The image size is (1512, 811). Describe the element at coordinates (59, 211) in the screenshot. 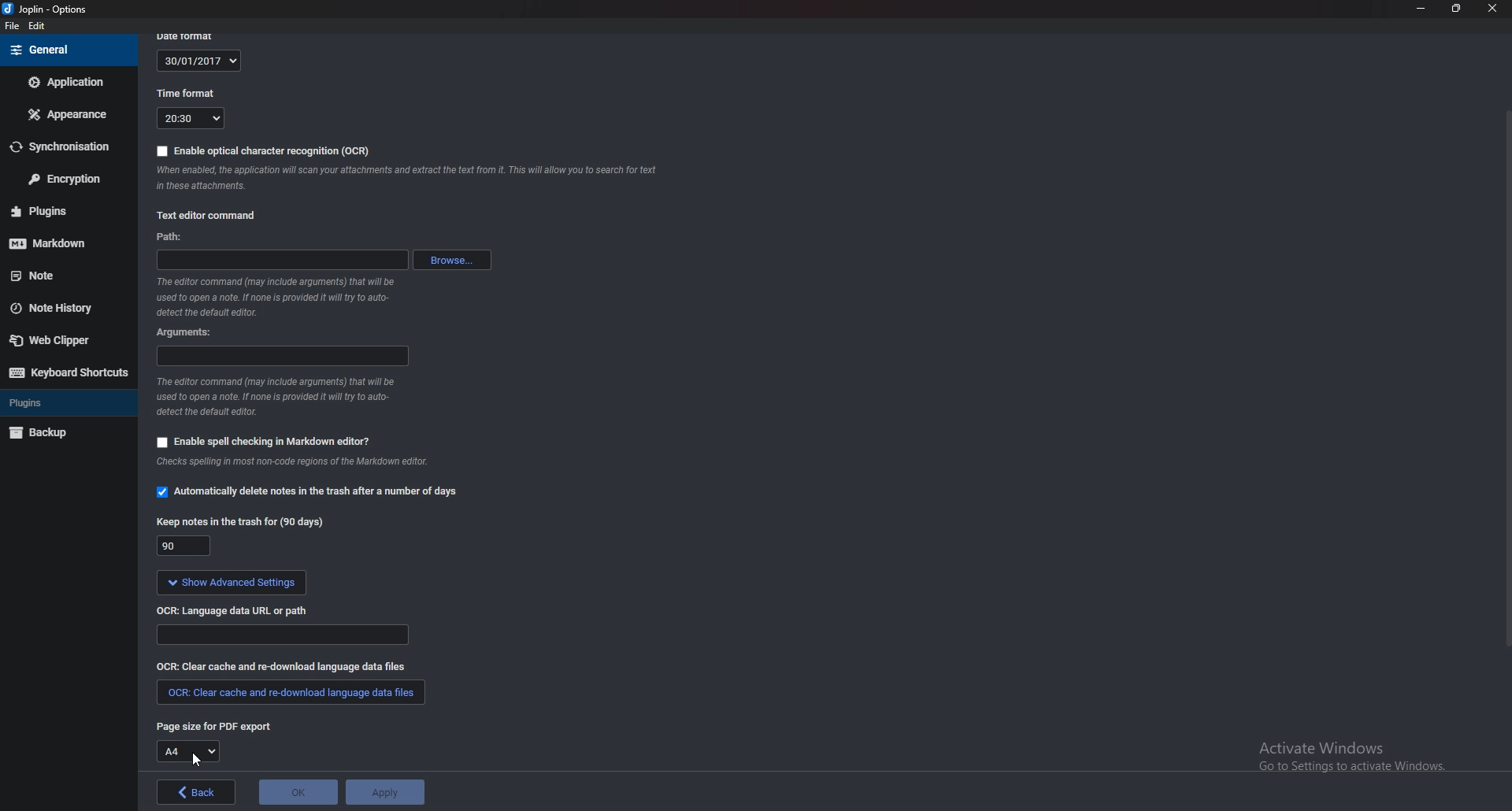

I see `Plugins` at that location.